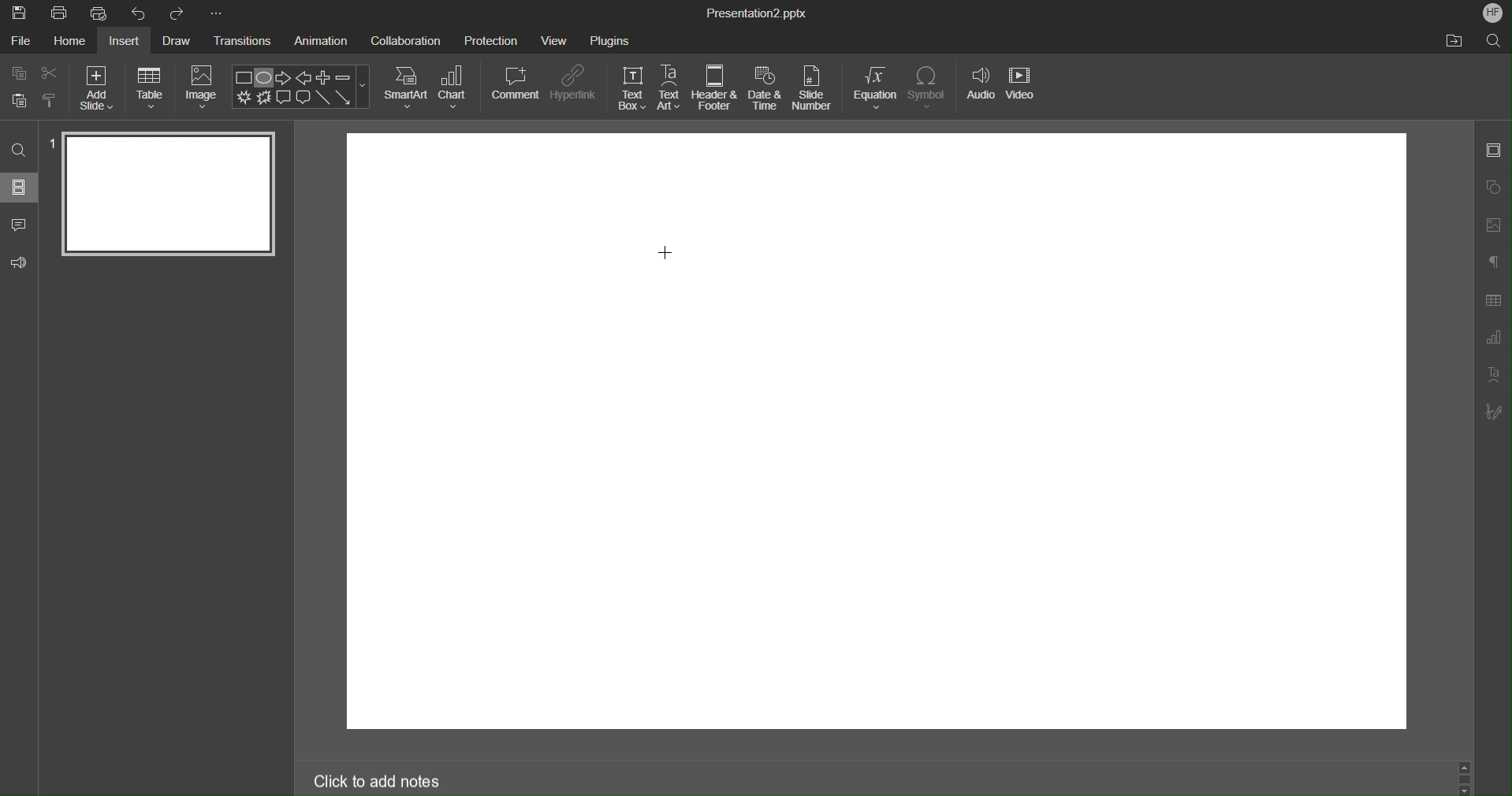 The width and height of the screenshot is (1512, 796). What do you see at coordinates (1495, 223) in the screenshot?
I see `Image Settings` at bounding box center [1495, 223].